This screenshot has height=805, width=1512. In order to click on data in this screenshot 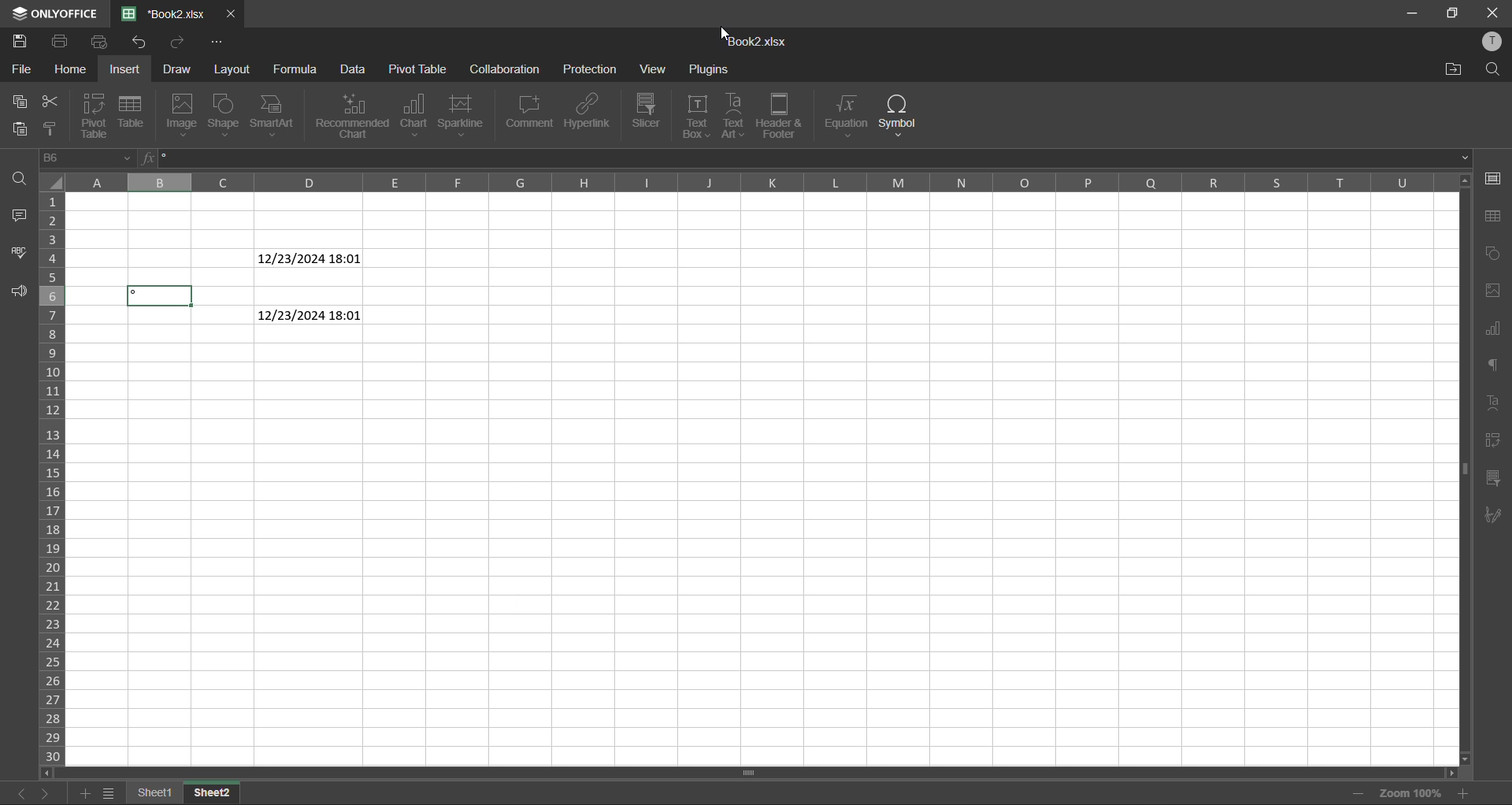, I will do `click(354, 70)`.